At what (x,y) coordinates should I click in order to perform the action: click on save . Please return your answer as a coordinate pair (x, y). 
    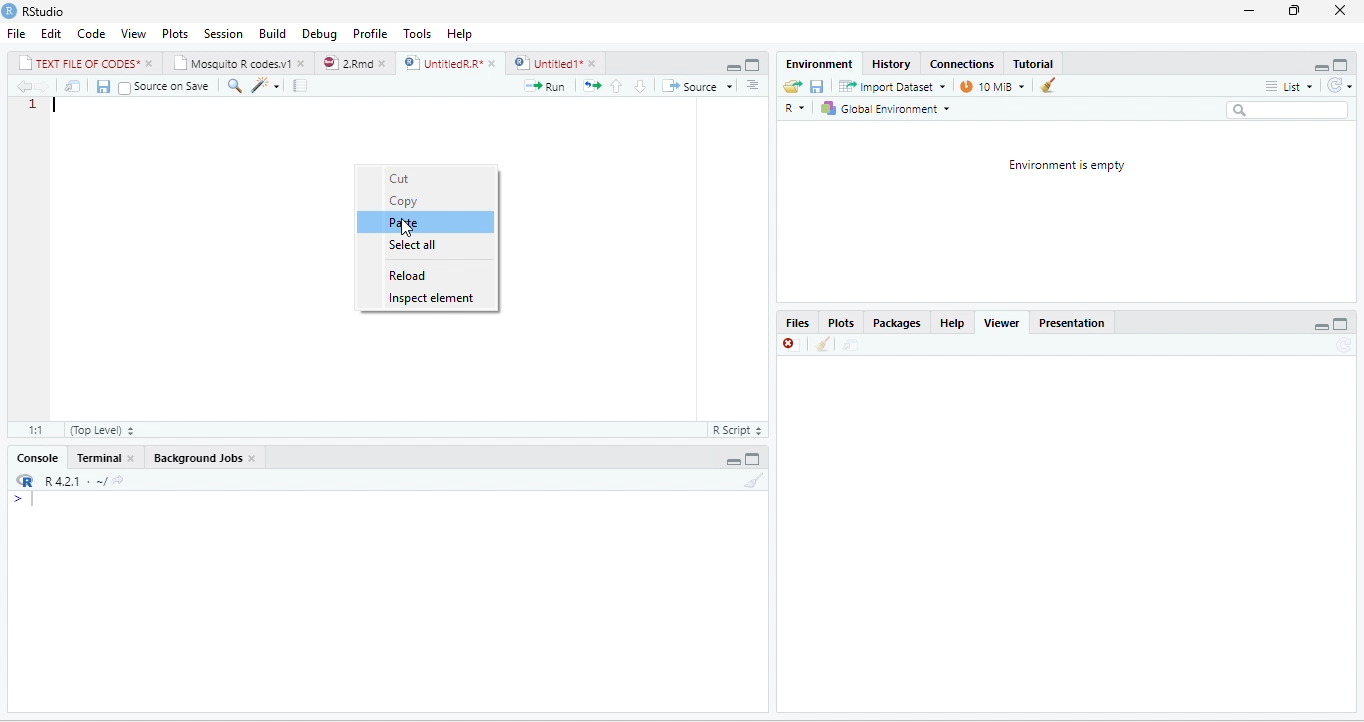
    Looking at the image, I should click on (818, 86).